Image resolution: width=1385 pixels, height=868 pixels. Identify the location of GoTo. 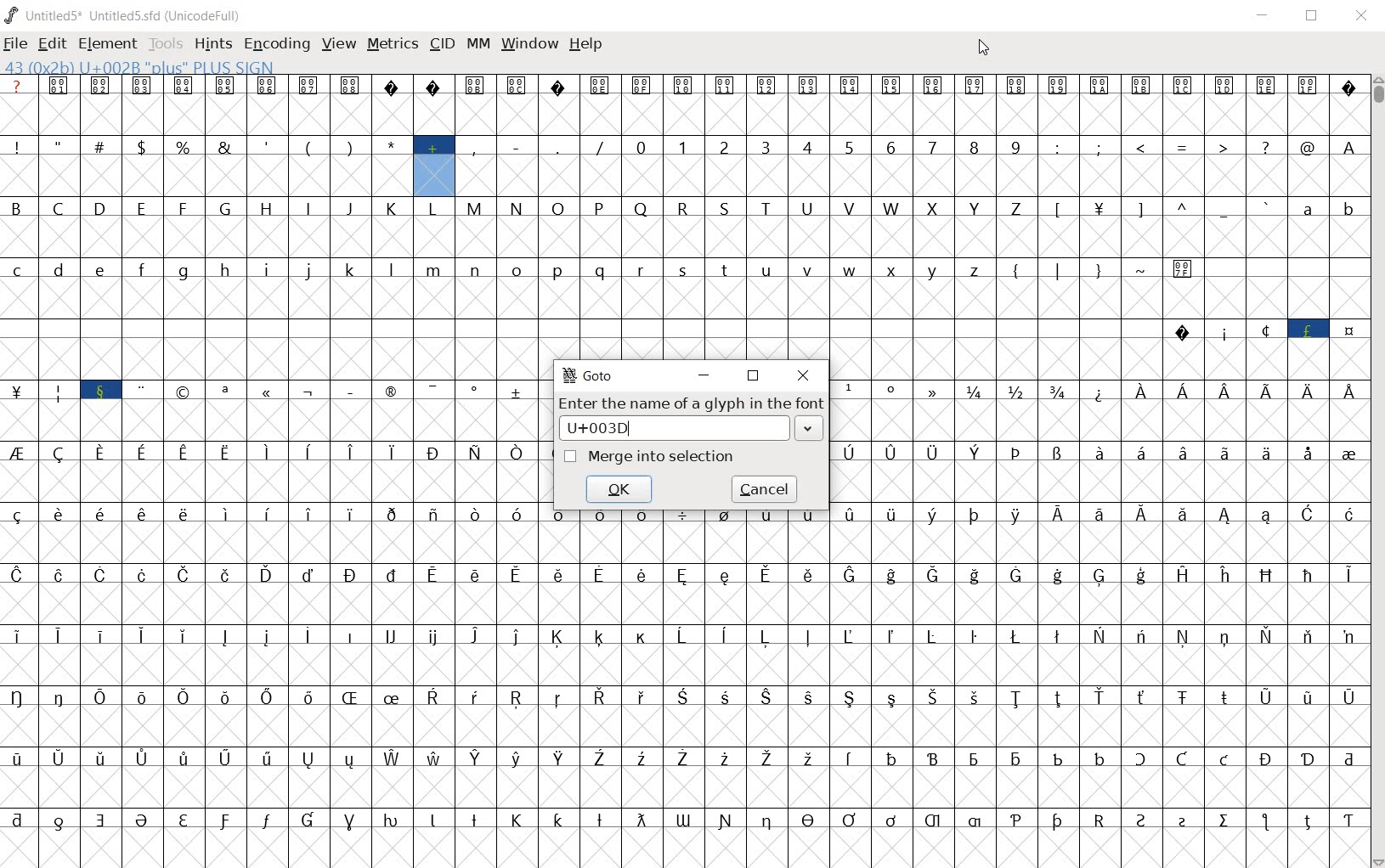
(591, 375).